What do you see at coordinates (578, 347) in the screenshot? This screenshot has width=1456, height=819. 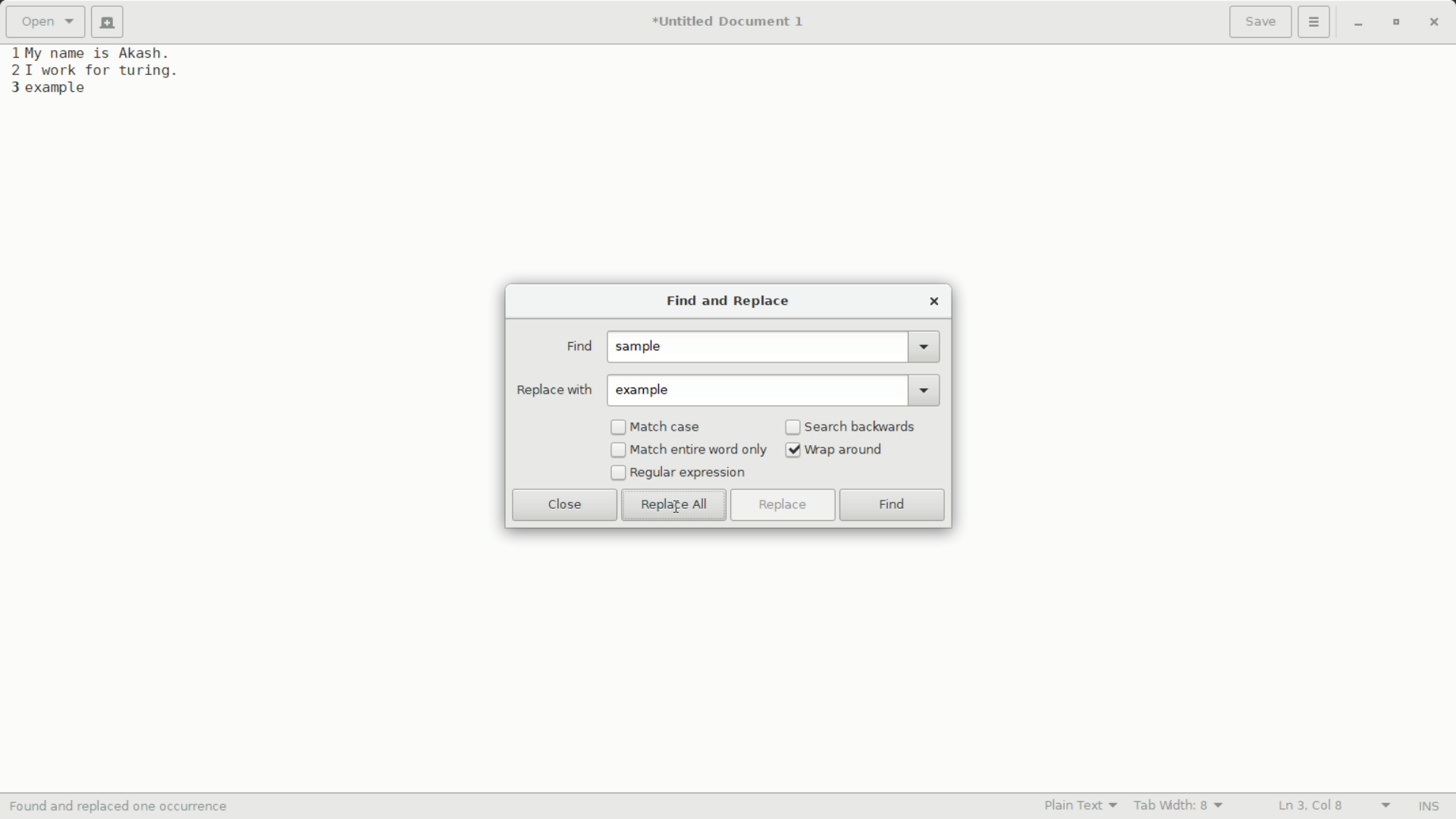 I see `find` at bounding box center [578, 347].